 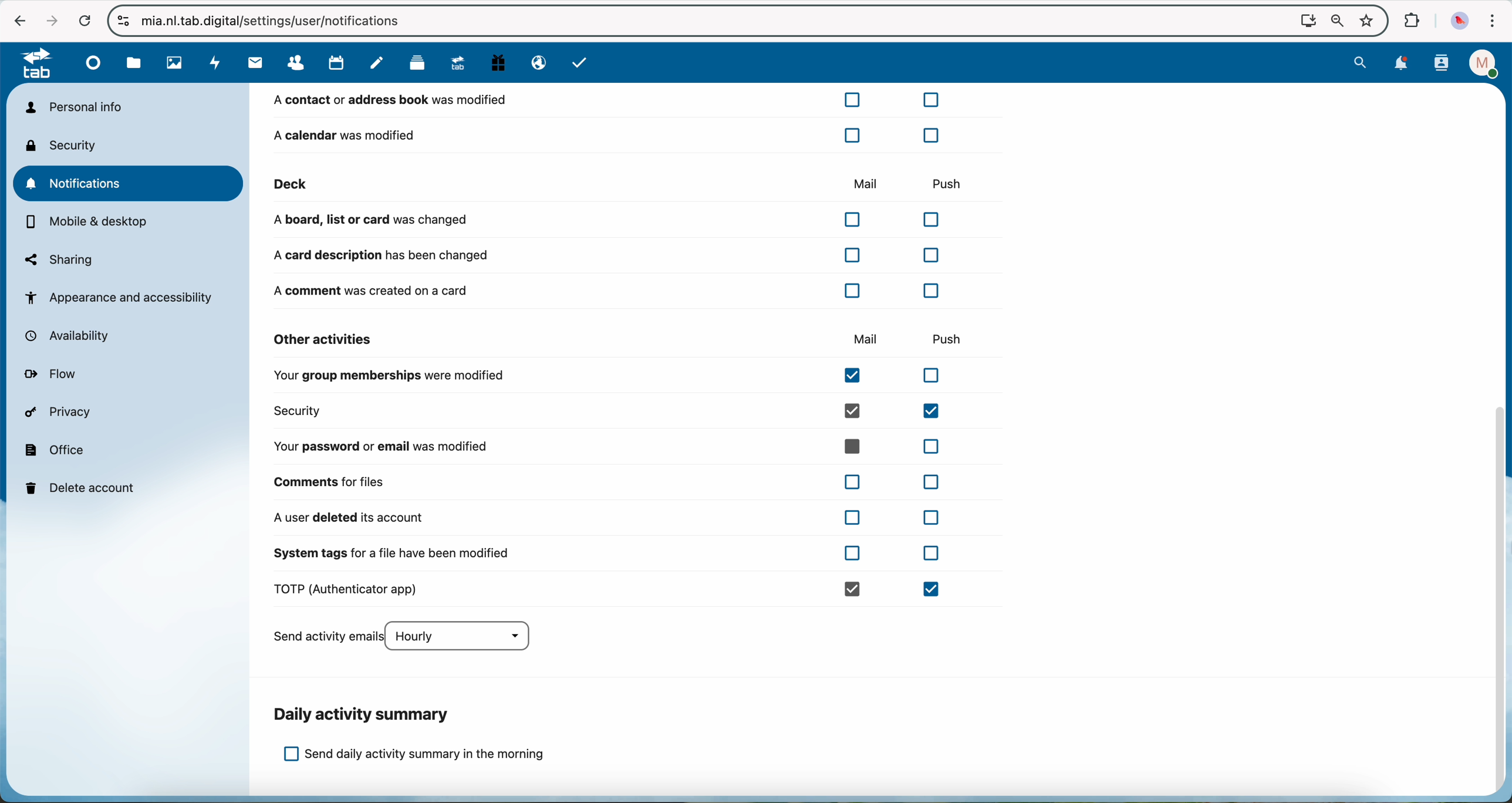 What do you see at coordinates (124, 21) in the screenshot?
I see `controls` at bounding box center [124, 21].